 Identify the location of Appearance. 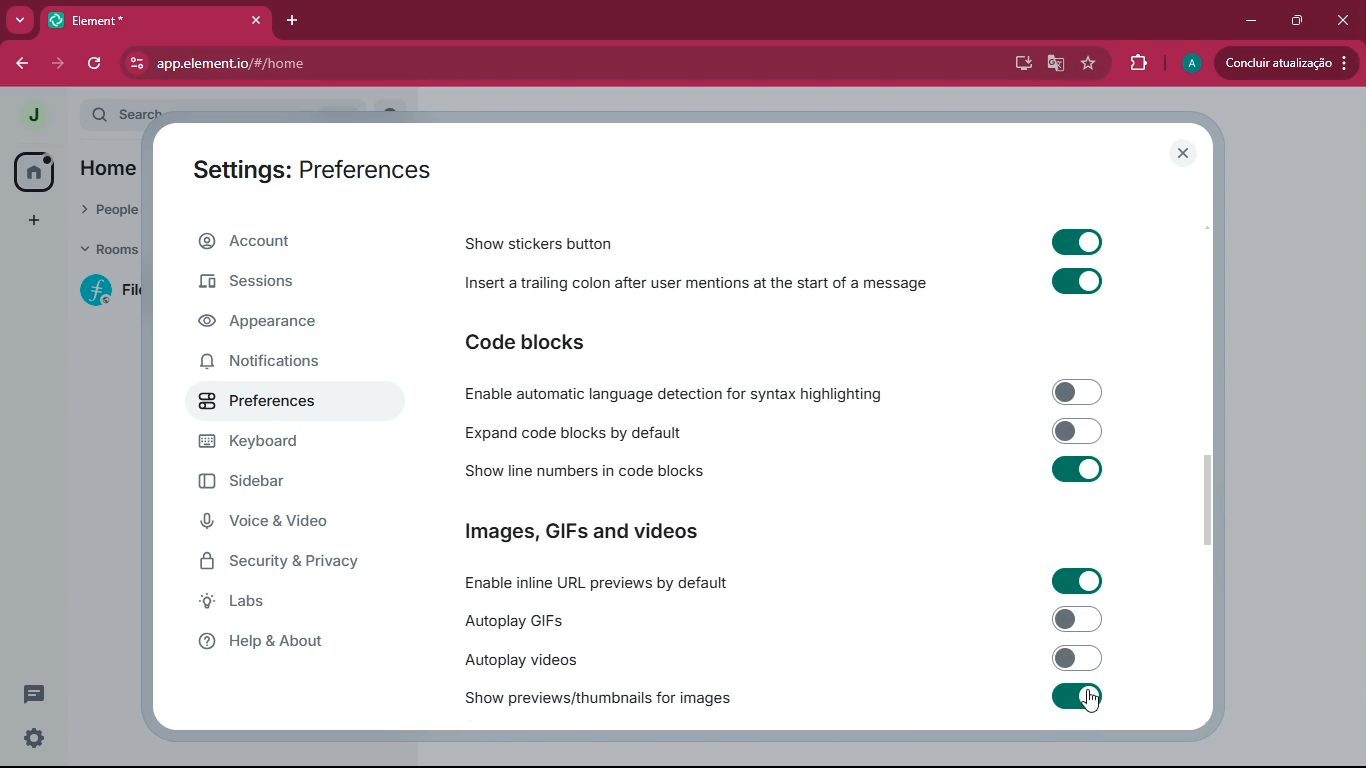
(265, 327).